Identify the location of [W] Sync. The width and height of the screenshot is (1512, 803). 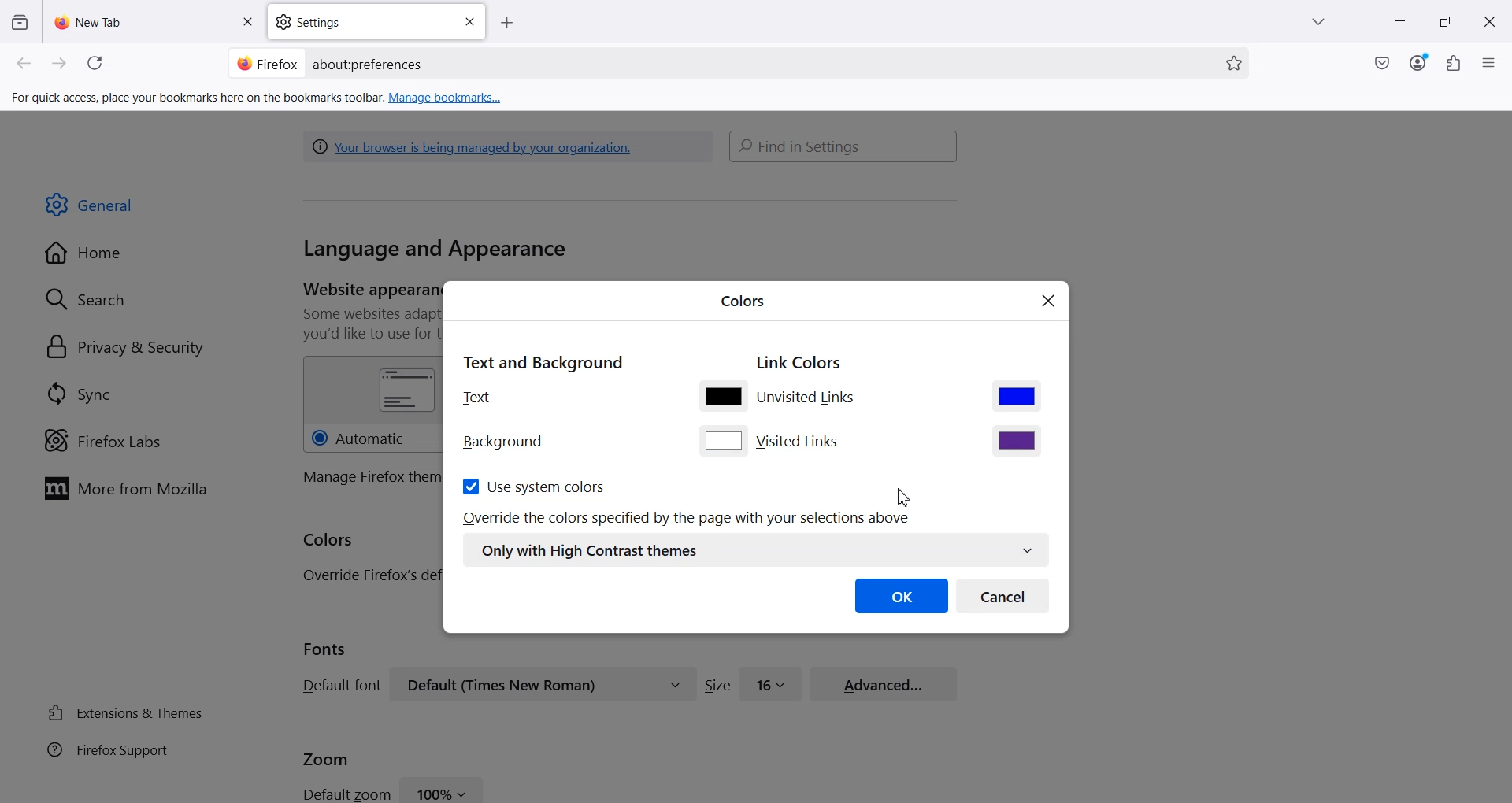
(76, 393).